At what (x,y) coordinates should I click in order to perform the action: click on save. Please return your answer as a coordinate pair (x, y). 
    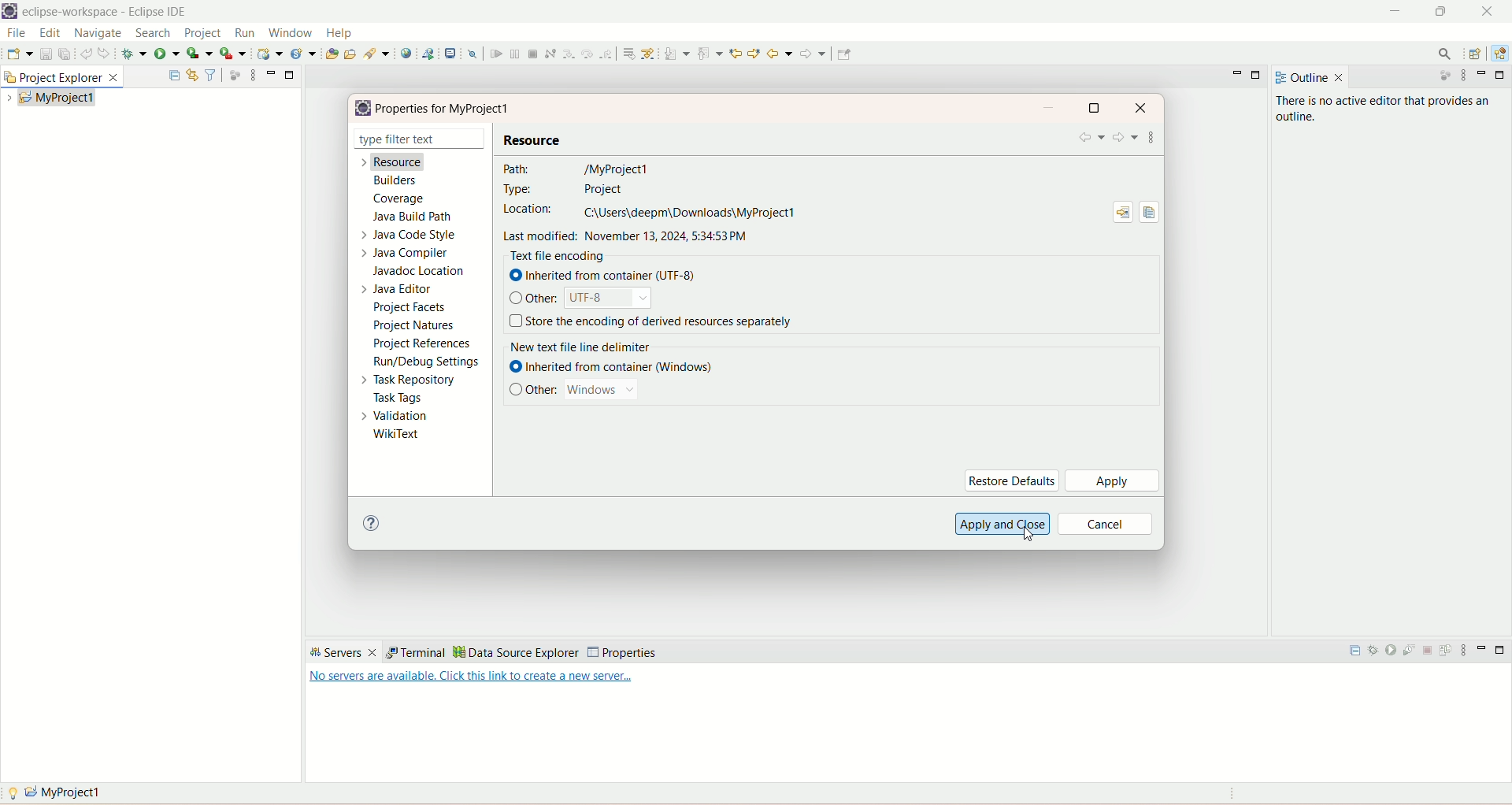
    Looking at the image, I should click on (19, 54).